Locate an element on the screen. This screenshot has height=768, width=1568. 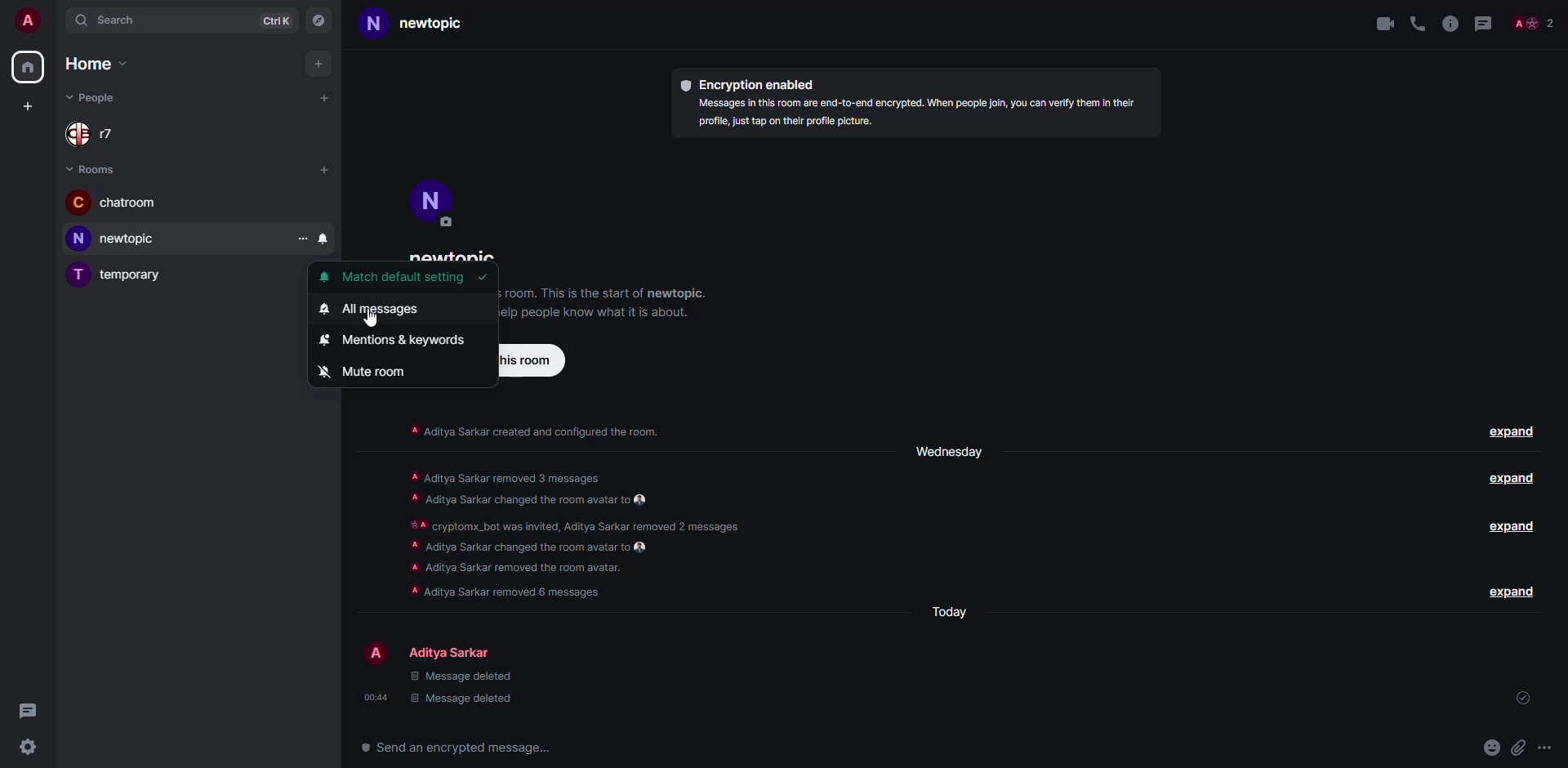
search is located at coordinates (110, 21).